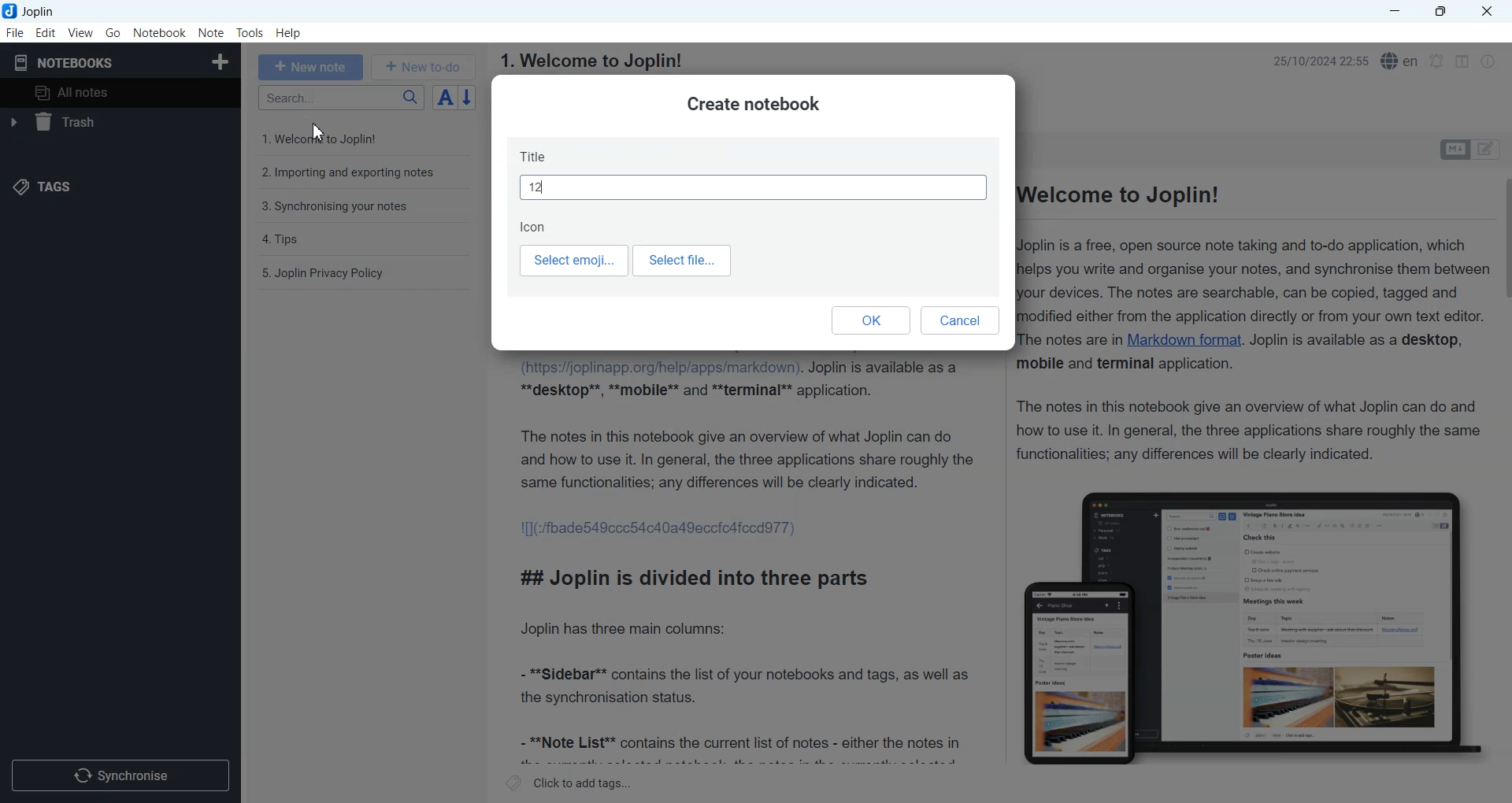  What do you see at coordinates (573, 261) in the screenshot?
I see `Select emoji...` at bounding box center [573, 261].